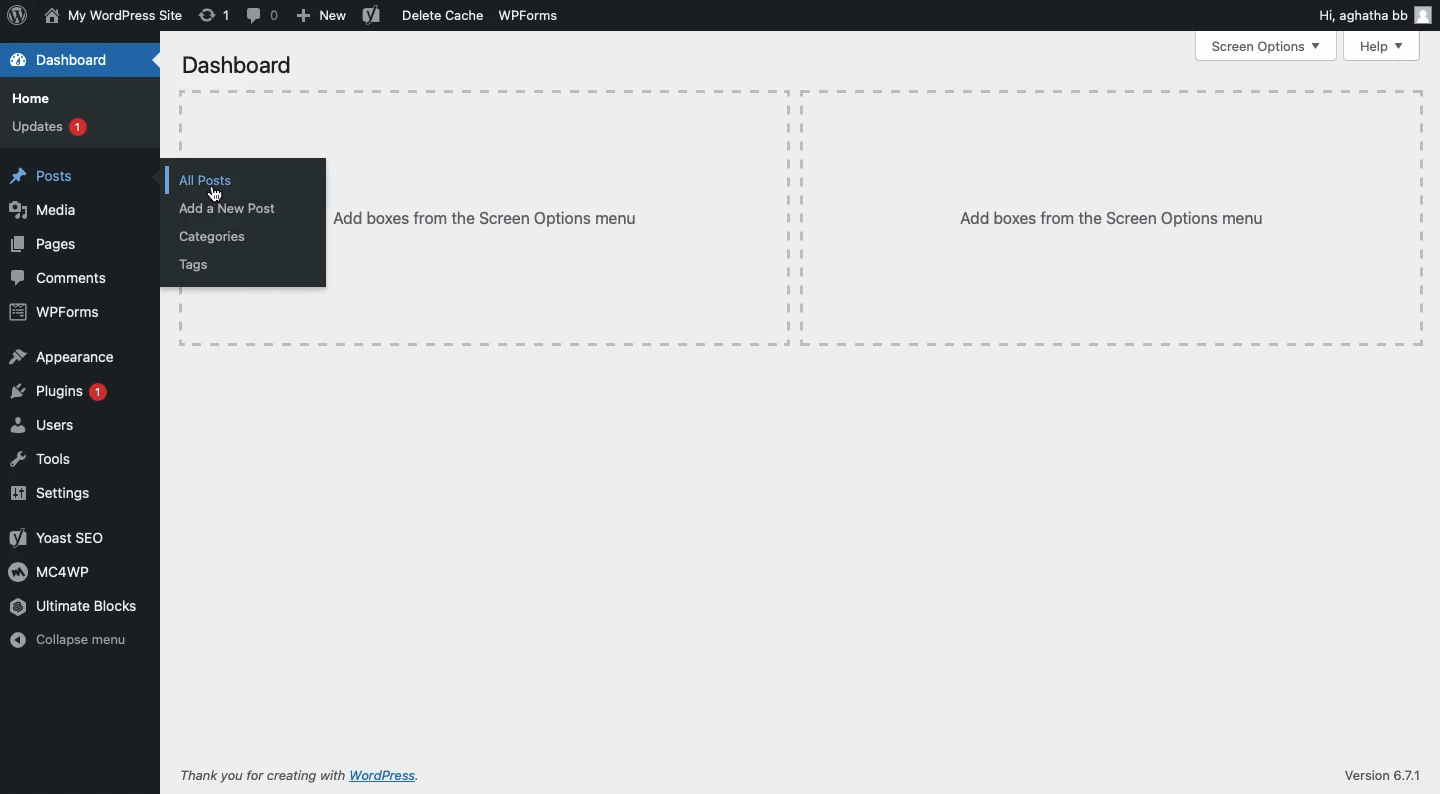 This screenshot has height=794, width=1440. Describe the element at coordinates (444, 18) in the screenshot. I see `Delete cache` at that location.